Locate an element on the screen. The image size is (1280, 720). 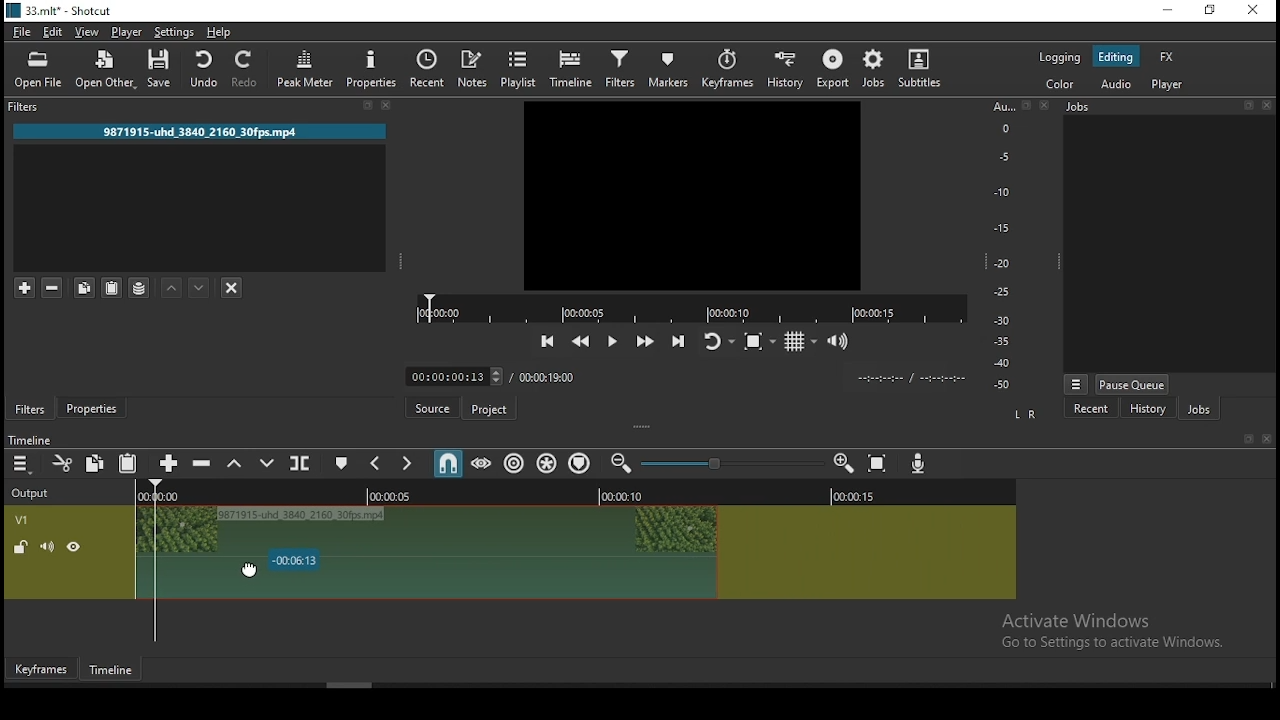
notes is located at coordinates (471, 68).